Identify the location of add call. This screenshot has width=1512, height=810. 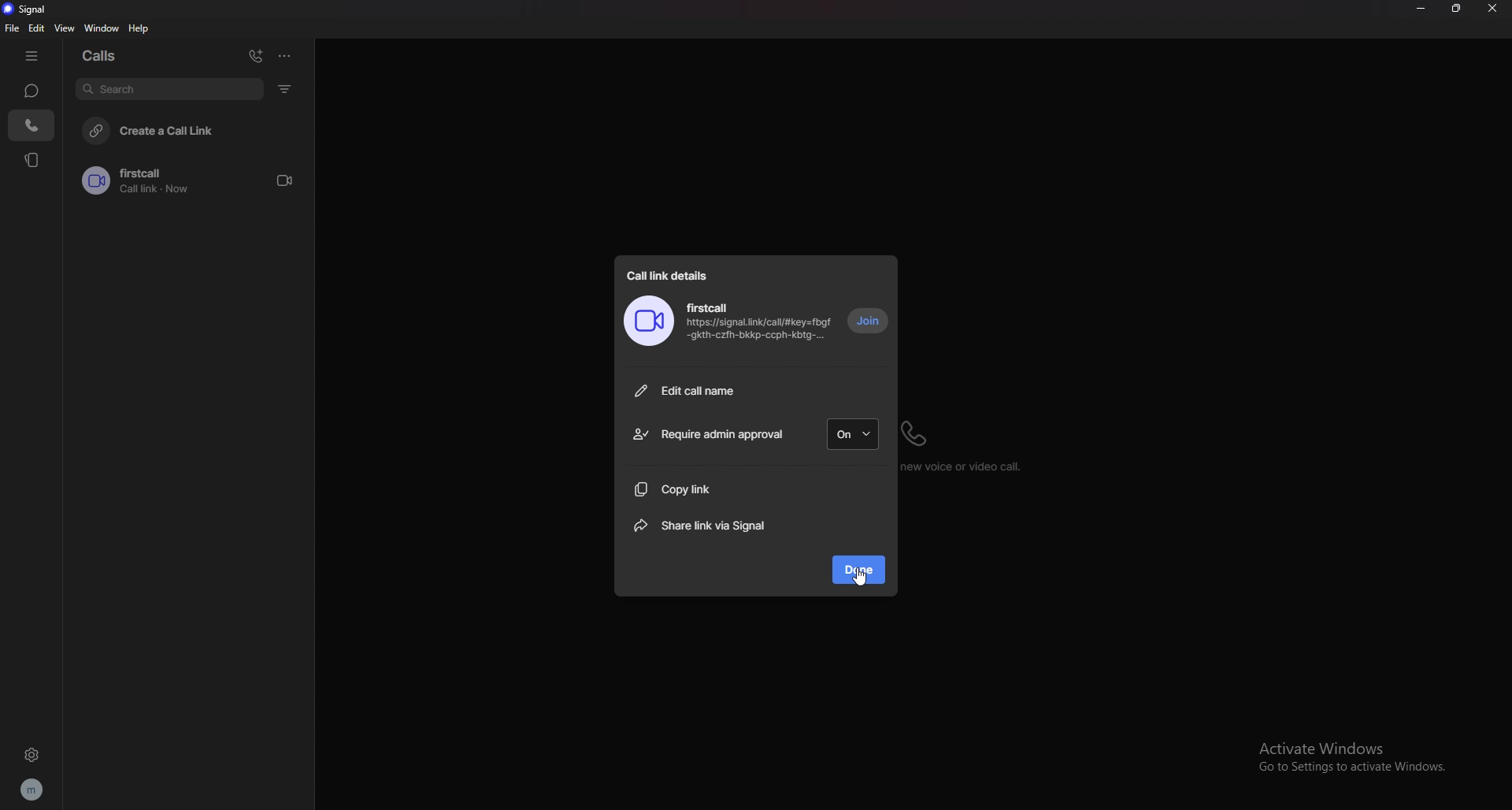
(256, 56).